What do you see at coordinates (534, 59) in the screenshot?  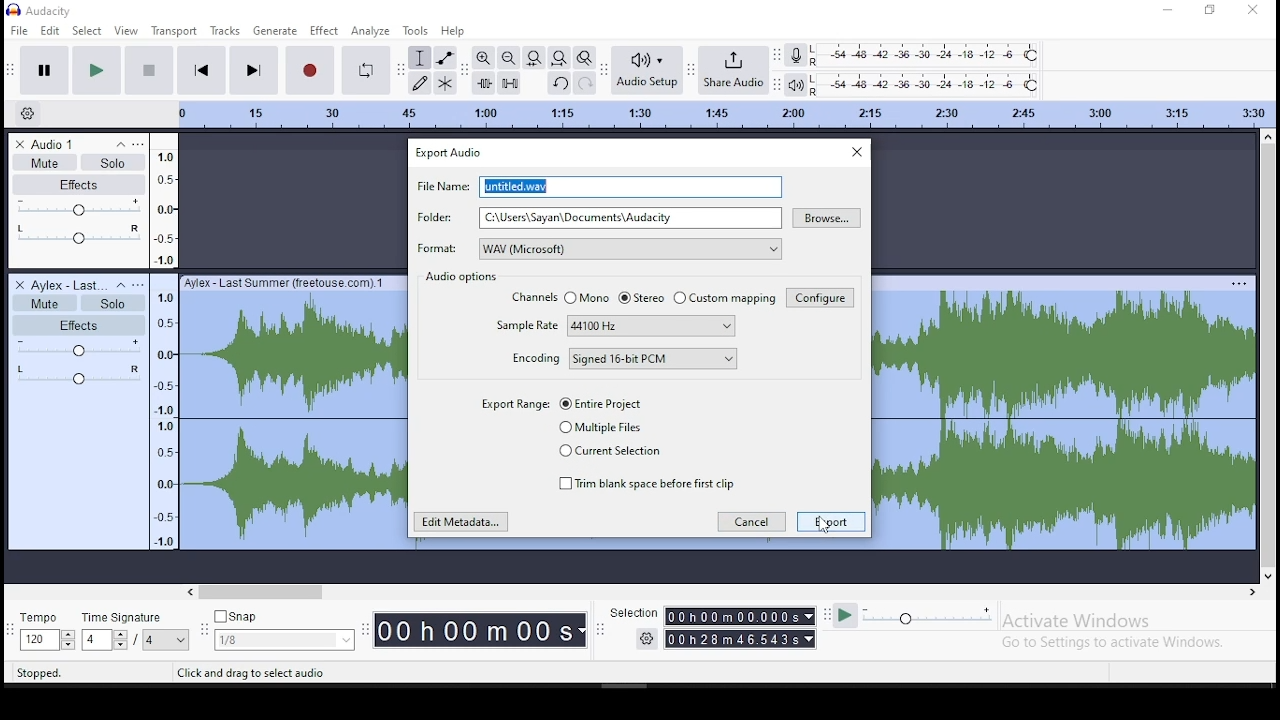 I see `fit selection to width` at bounding box center [534, 59].